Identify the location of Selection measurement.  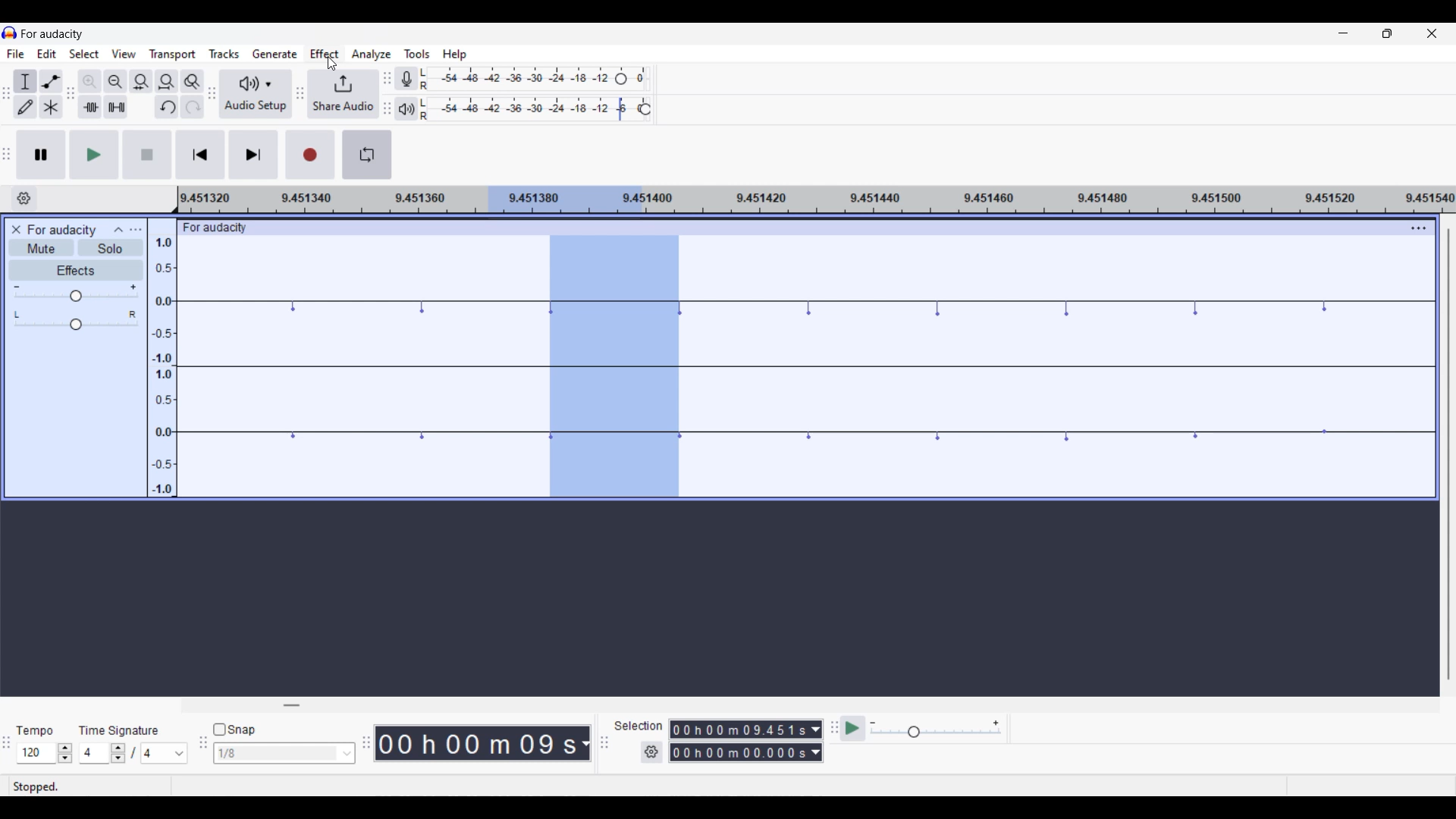
(815, 741).